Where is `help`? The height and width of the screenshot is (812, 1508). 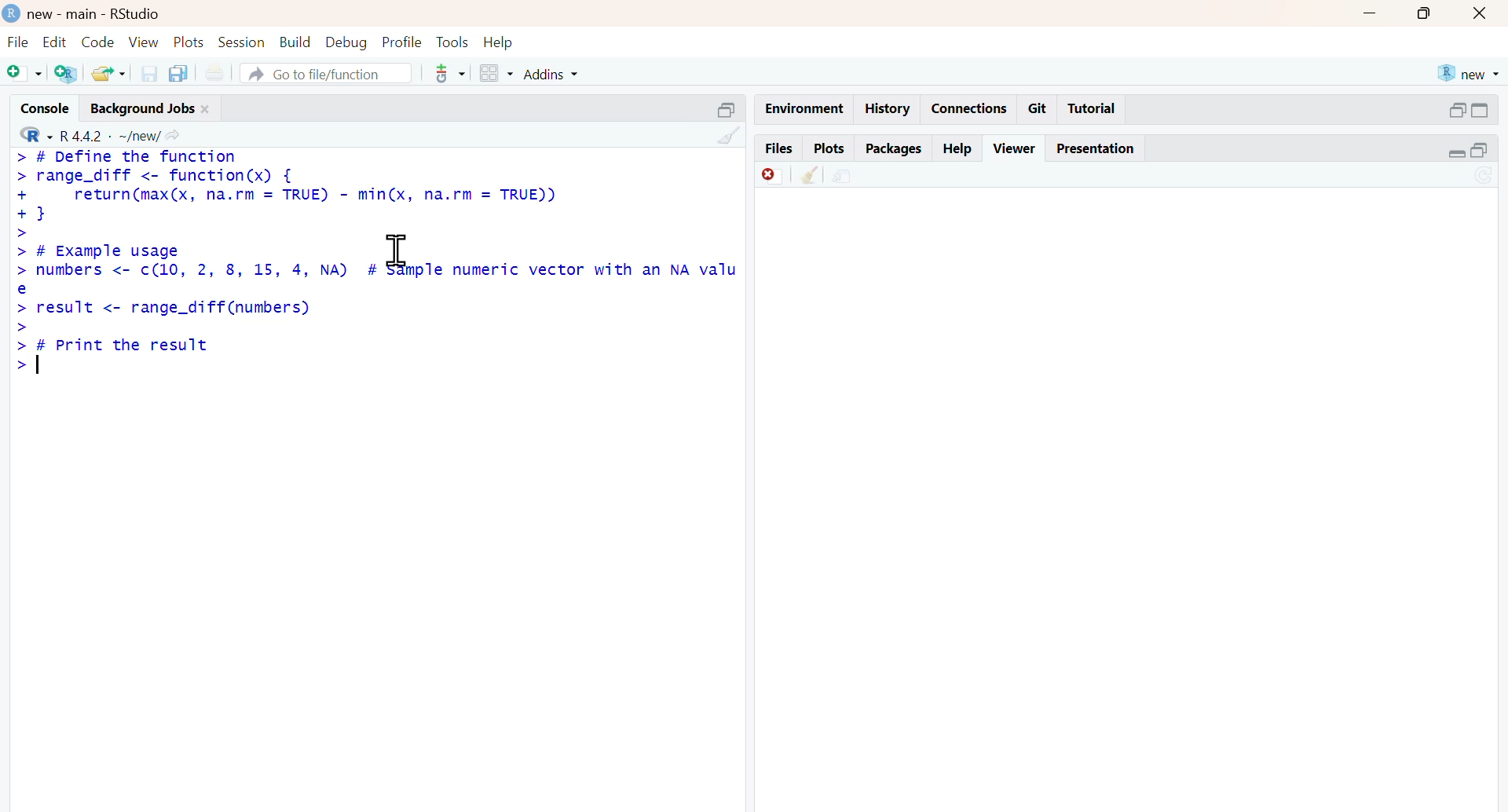 help is located at coordinates (959, 150).